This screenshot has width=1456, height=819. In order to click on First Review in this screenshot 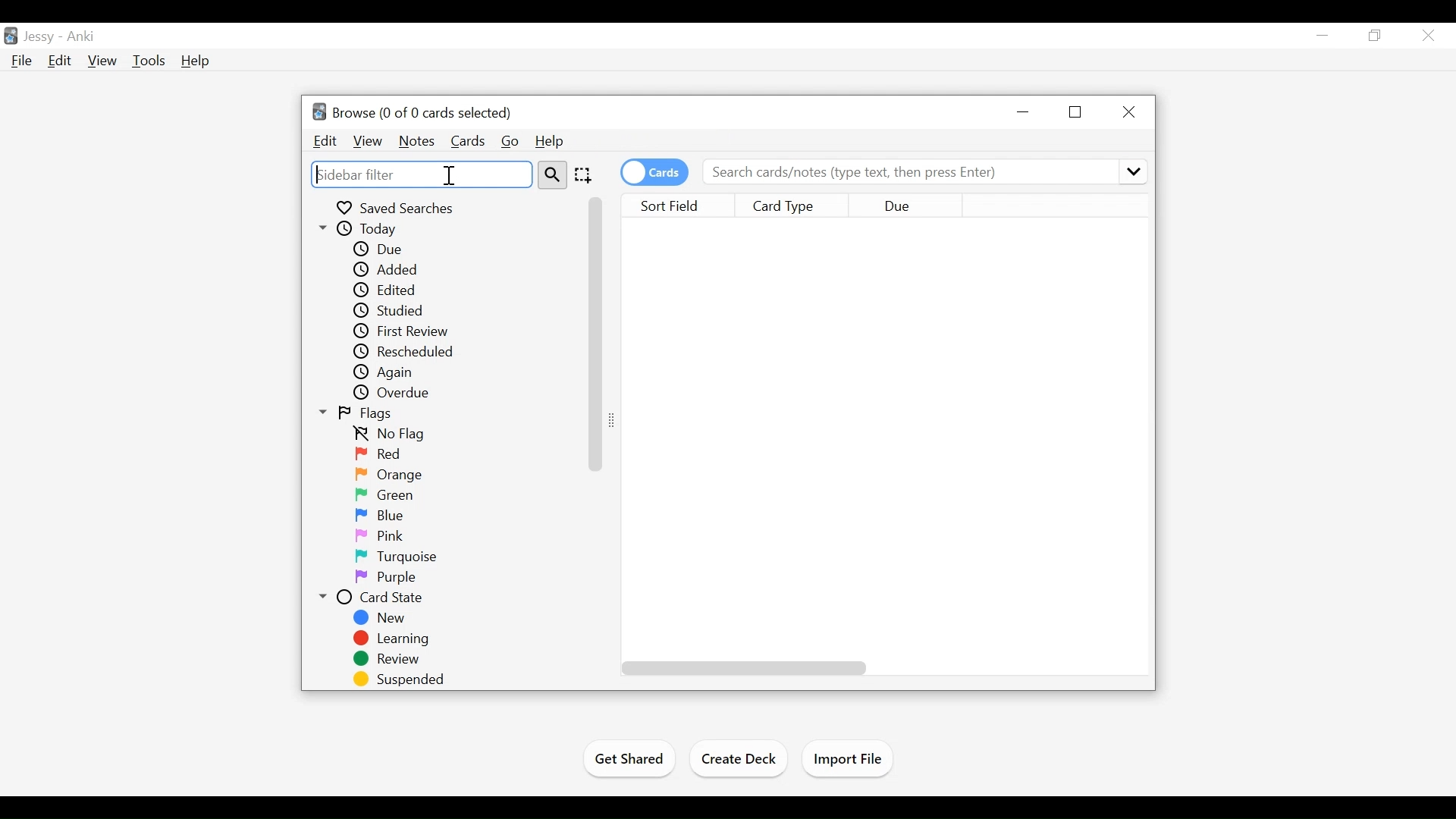, I will do `click(402, 331)`.